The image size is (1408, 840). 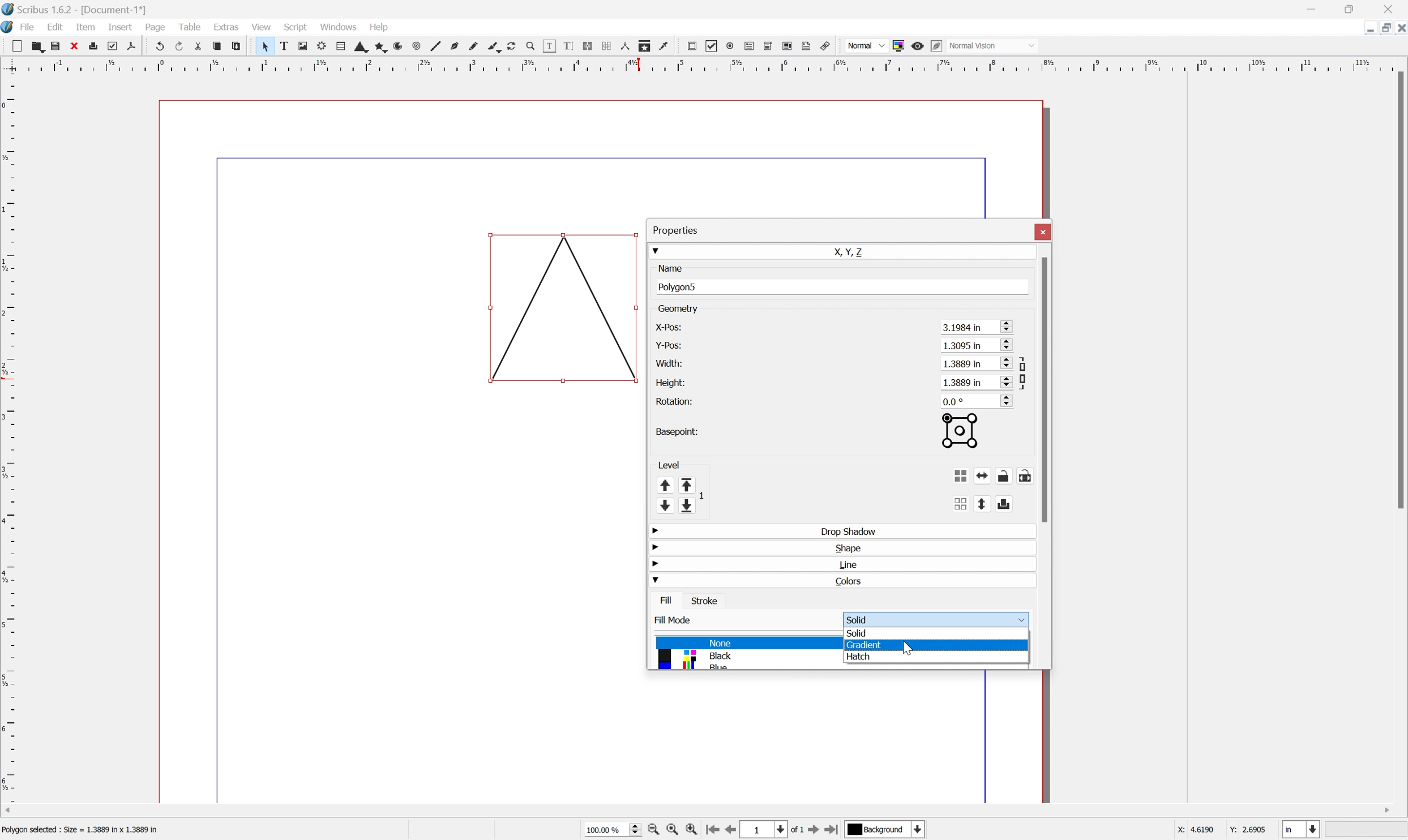 I want to click on Geometry, so click(x=679, y=308).